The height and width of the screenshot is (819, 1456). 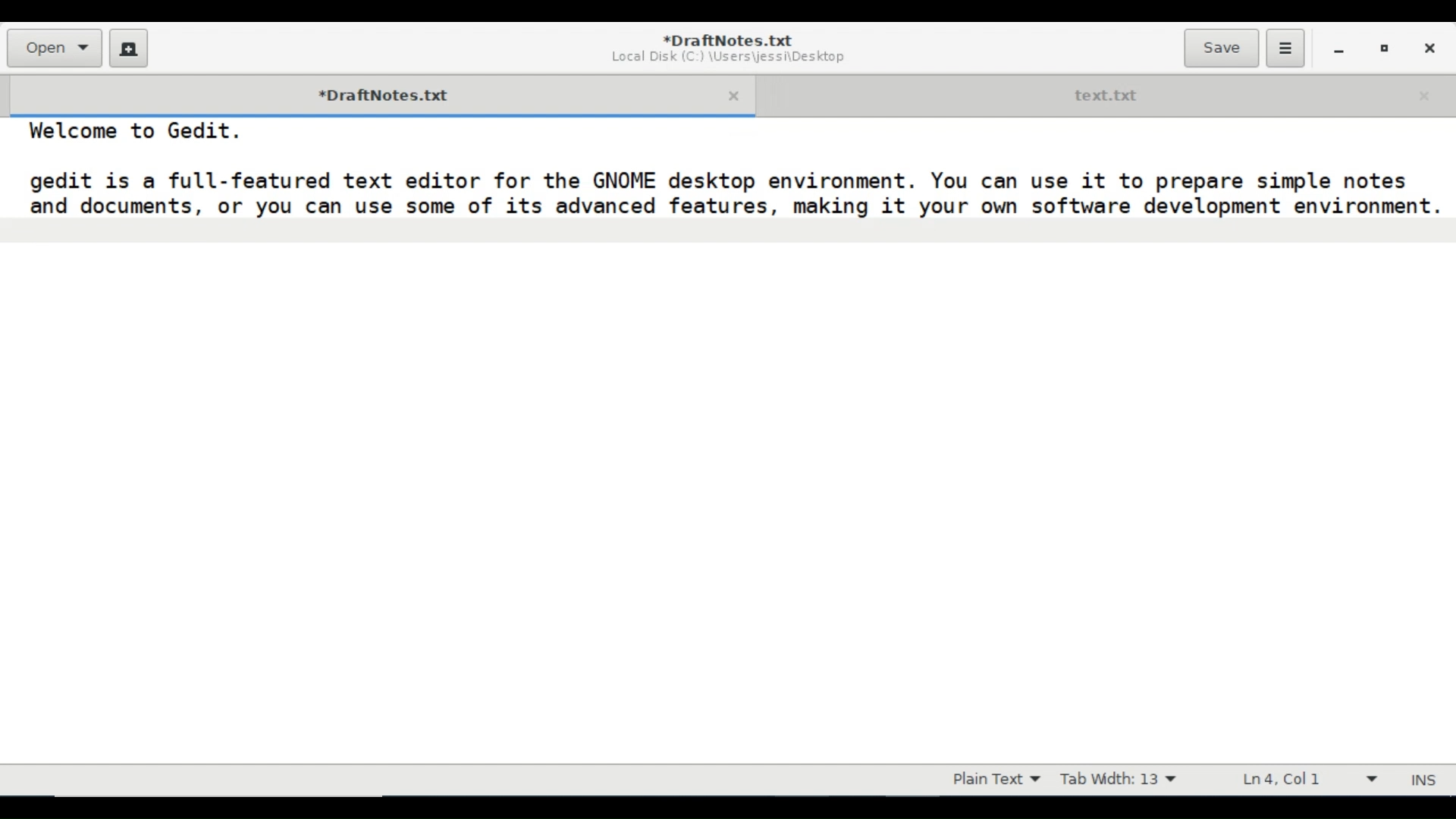 I want to click on Save, so click(x=1221, y=48).